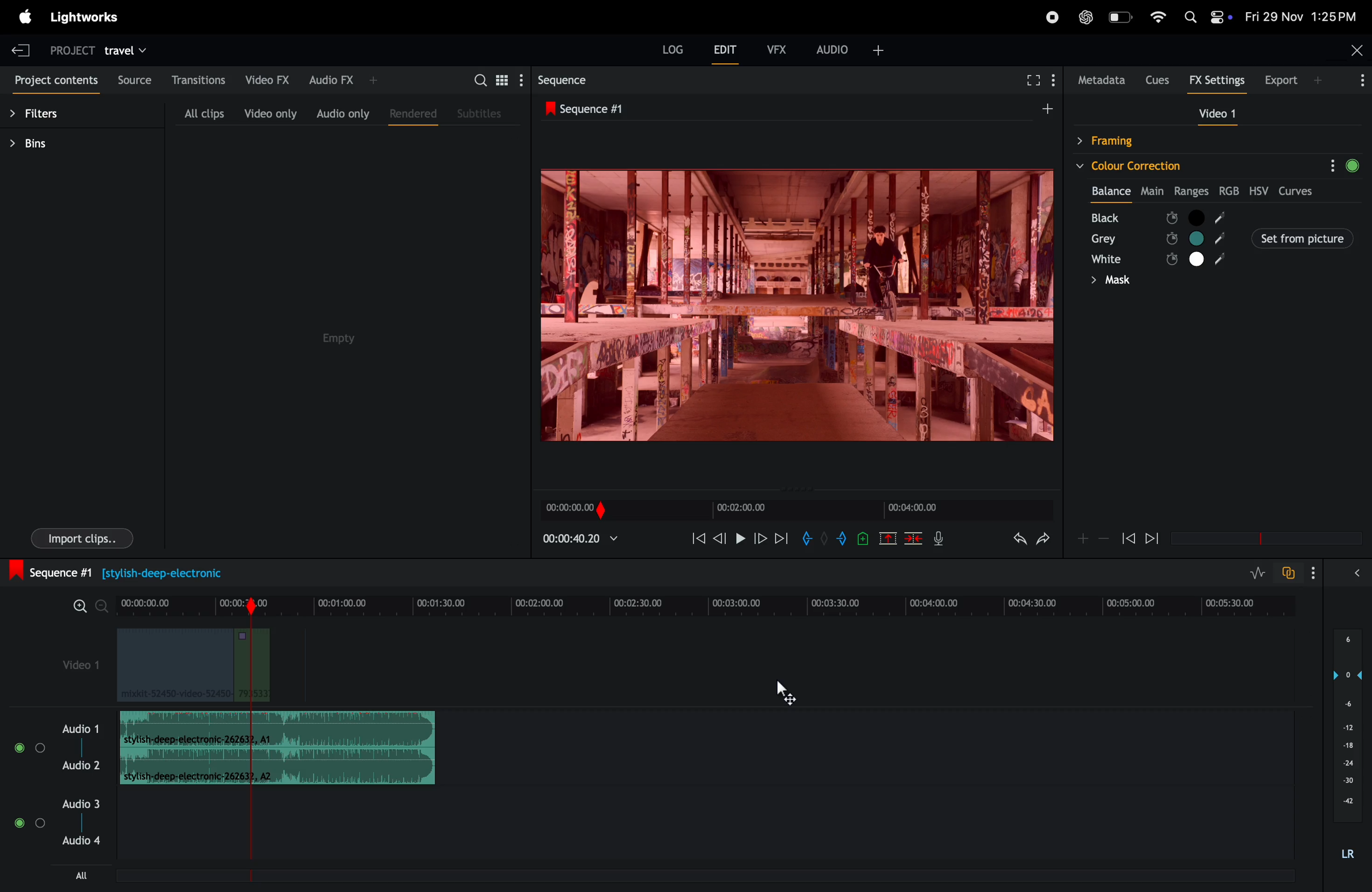  What do you see at coordinates (794, 511) in the screenshot?
I see `time frame` at bounding box center [794, 511].